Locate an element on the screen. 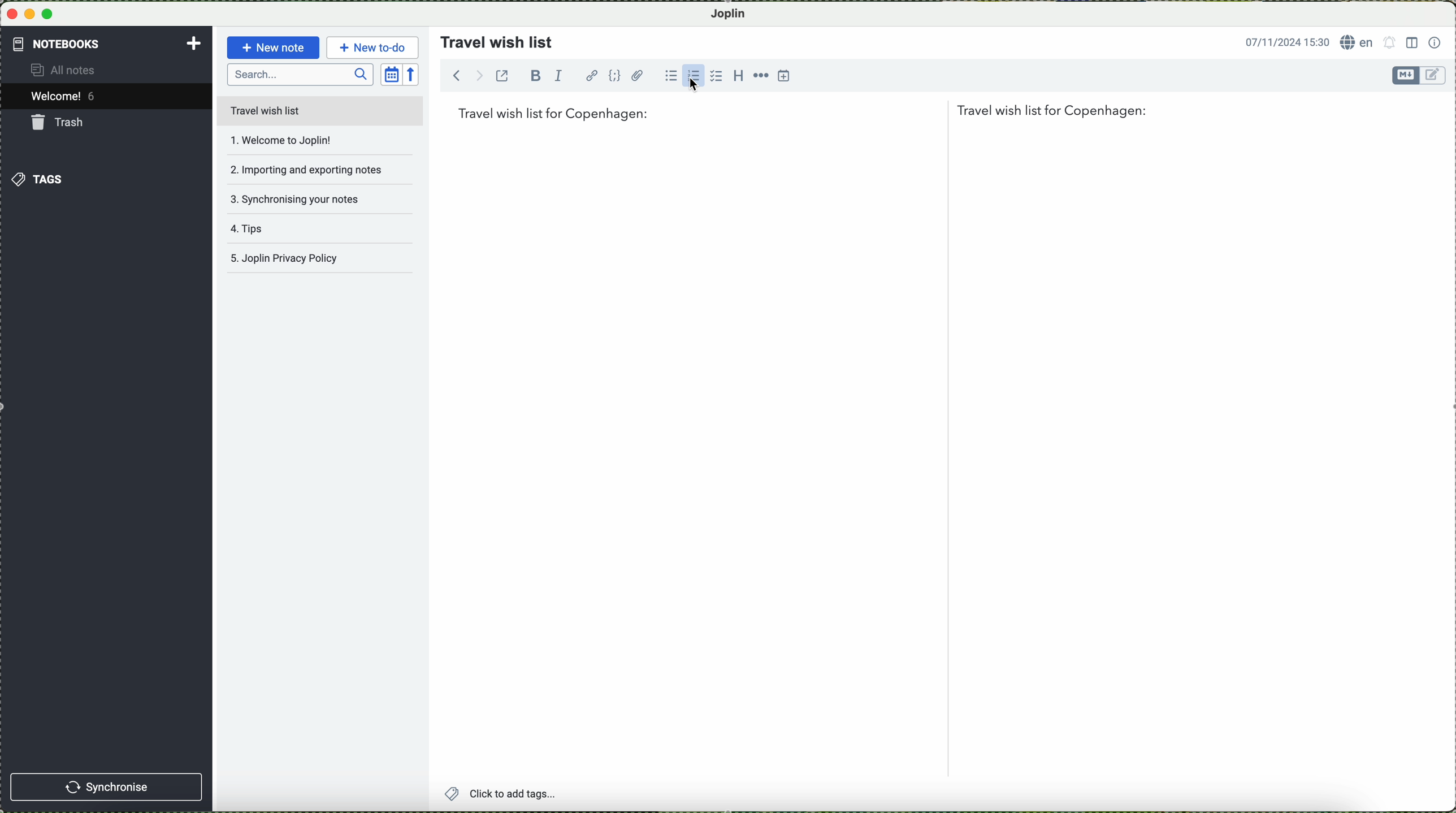 This screenshot has width=1456, height=813. attach file is located at coordinates (638, 75).